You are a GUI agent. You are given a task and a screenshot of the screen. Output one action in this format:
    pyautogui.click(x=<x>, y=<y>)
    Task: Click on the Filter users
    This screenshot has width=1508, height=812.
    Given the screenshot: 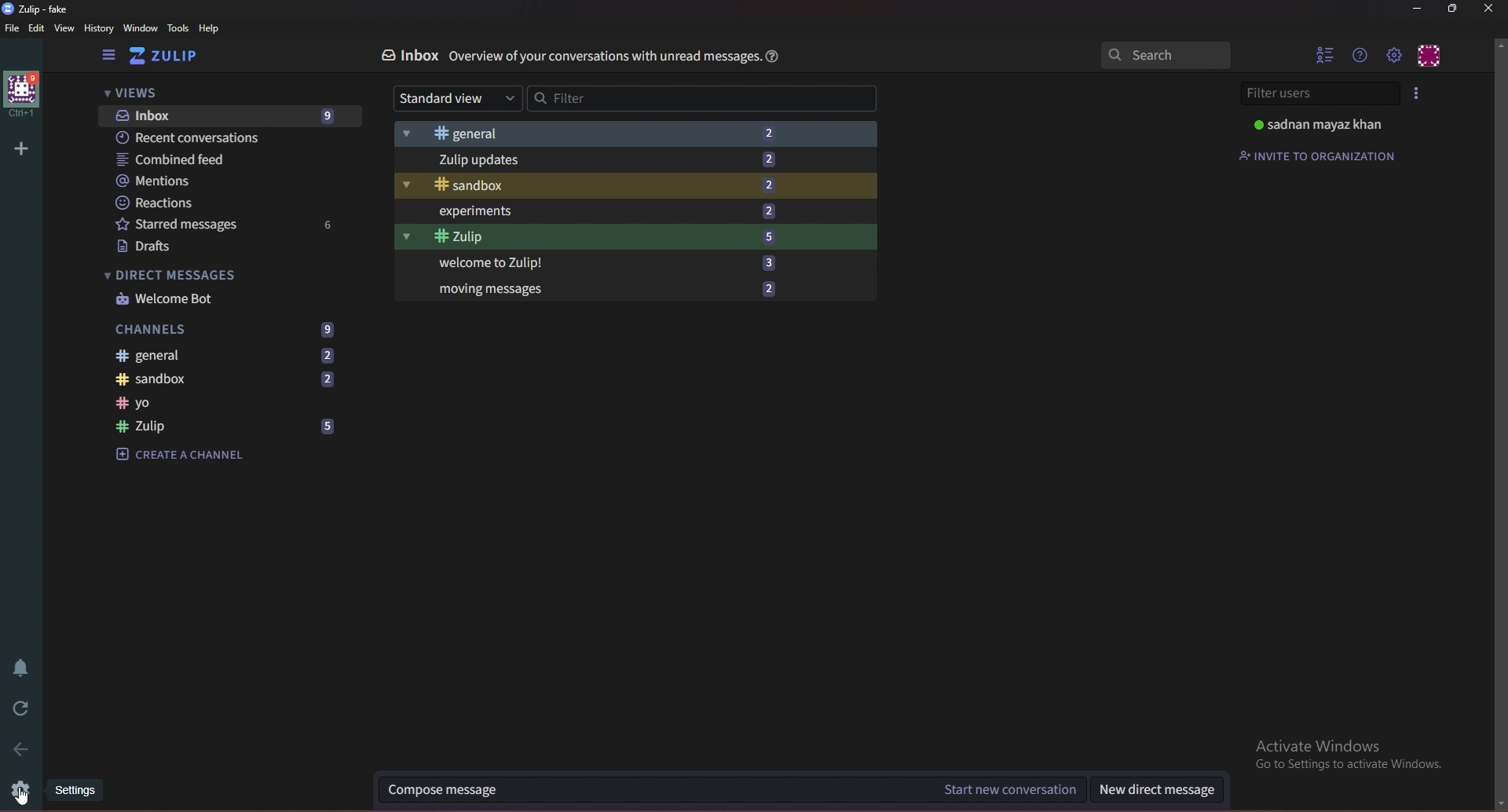 What is the action you would take?
    pyautogui.click(x=1321, y=95)
    